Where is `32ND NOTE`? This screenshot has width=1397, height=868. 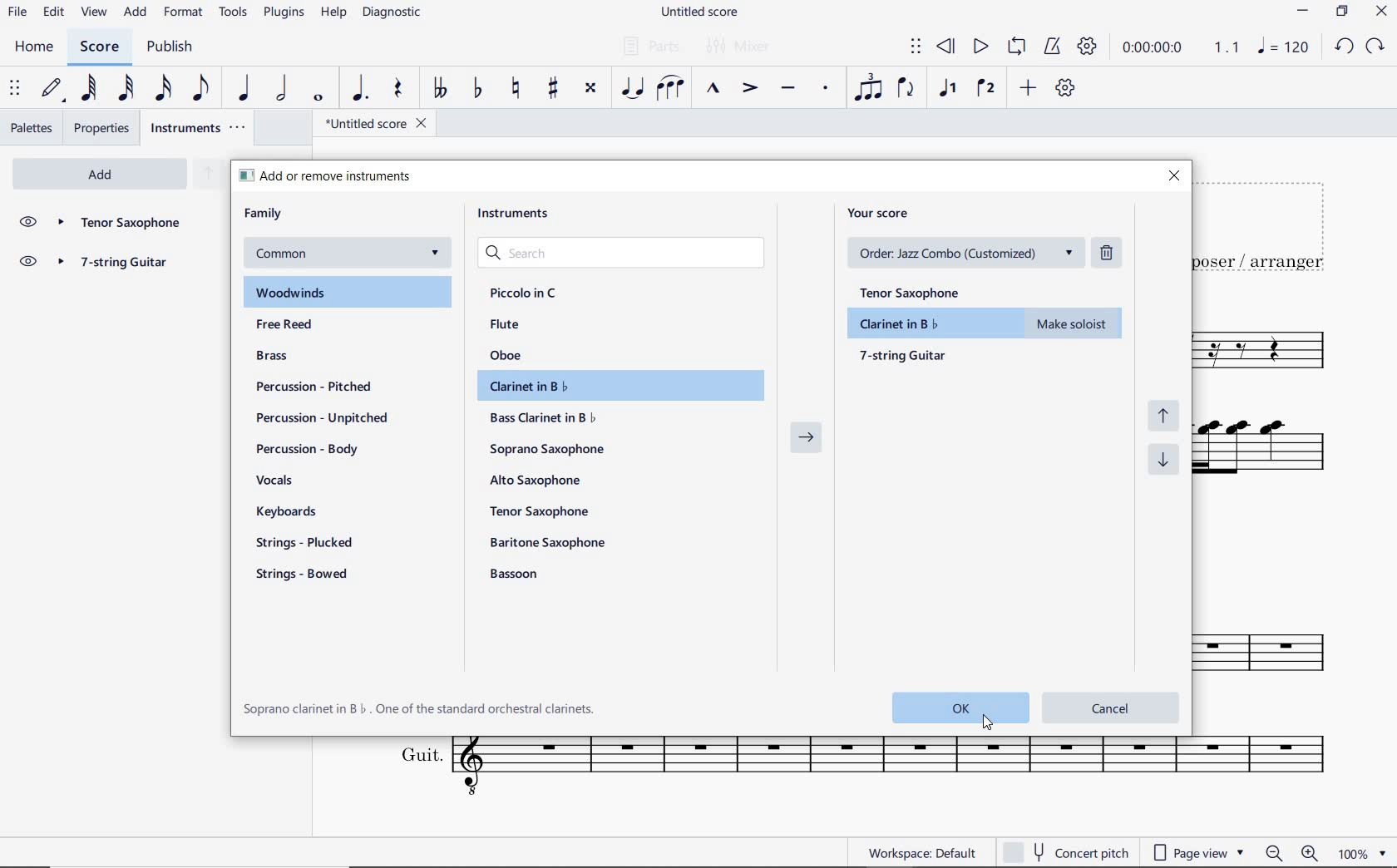 32ND NOTE is located at coordinates (128, 88).